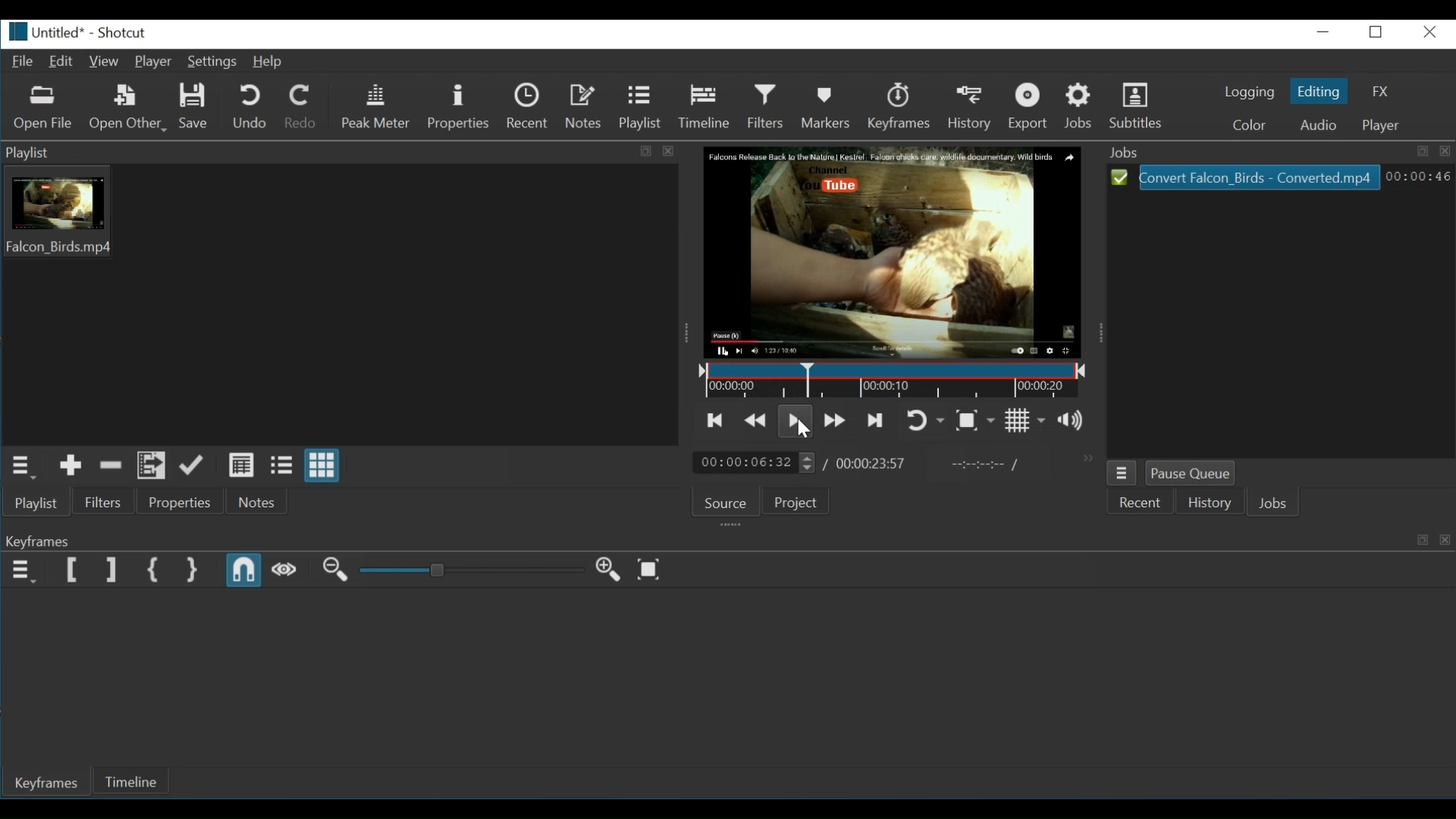 This screenshot has height=819, width=1456. What do you see at coordinates (319, 466) in the screenshot?
I see `View as icons` at bounding box center [319, 466].